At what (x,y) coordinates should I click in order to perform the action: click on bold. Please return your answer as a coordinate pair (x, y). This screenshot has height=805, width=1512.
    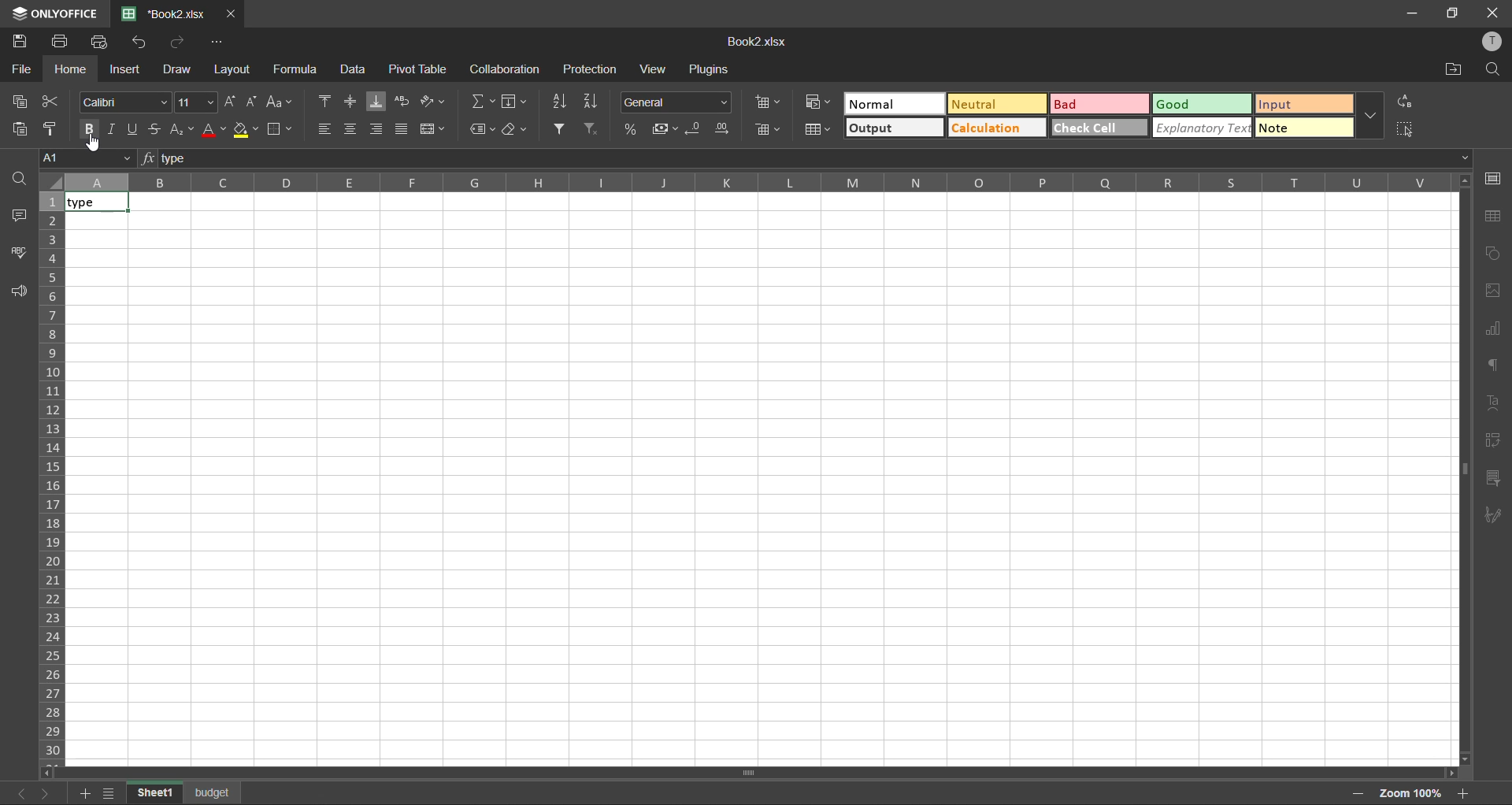
    Looking at the image, I should click on (91, 128).